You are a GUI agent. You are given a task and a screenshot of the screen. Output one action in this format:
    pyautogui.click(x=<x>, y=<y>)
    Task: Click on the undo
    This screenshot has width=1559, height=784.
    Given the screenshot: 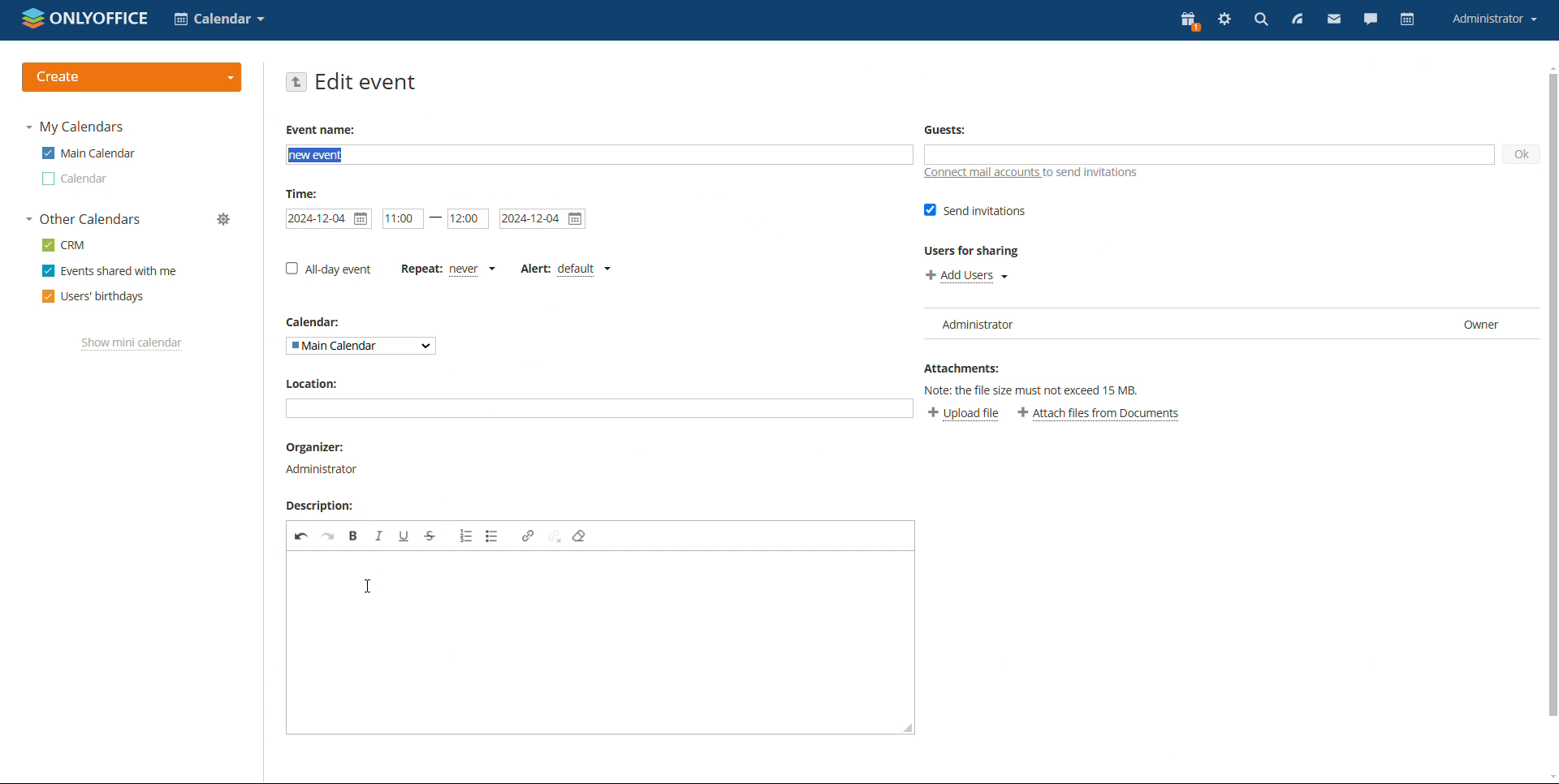 What is the action you would take?
    pyautogui.click(x=301, y=536)
    